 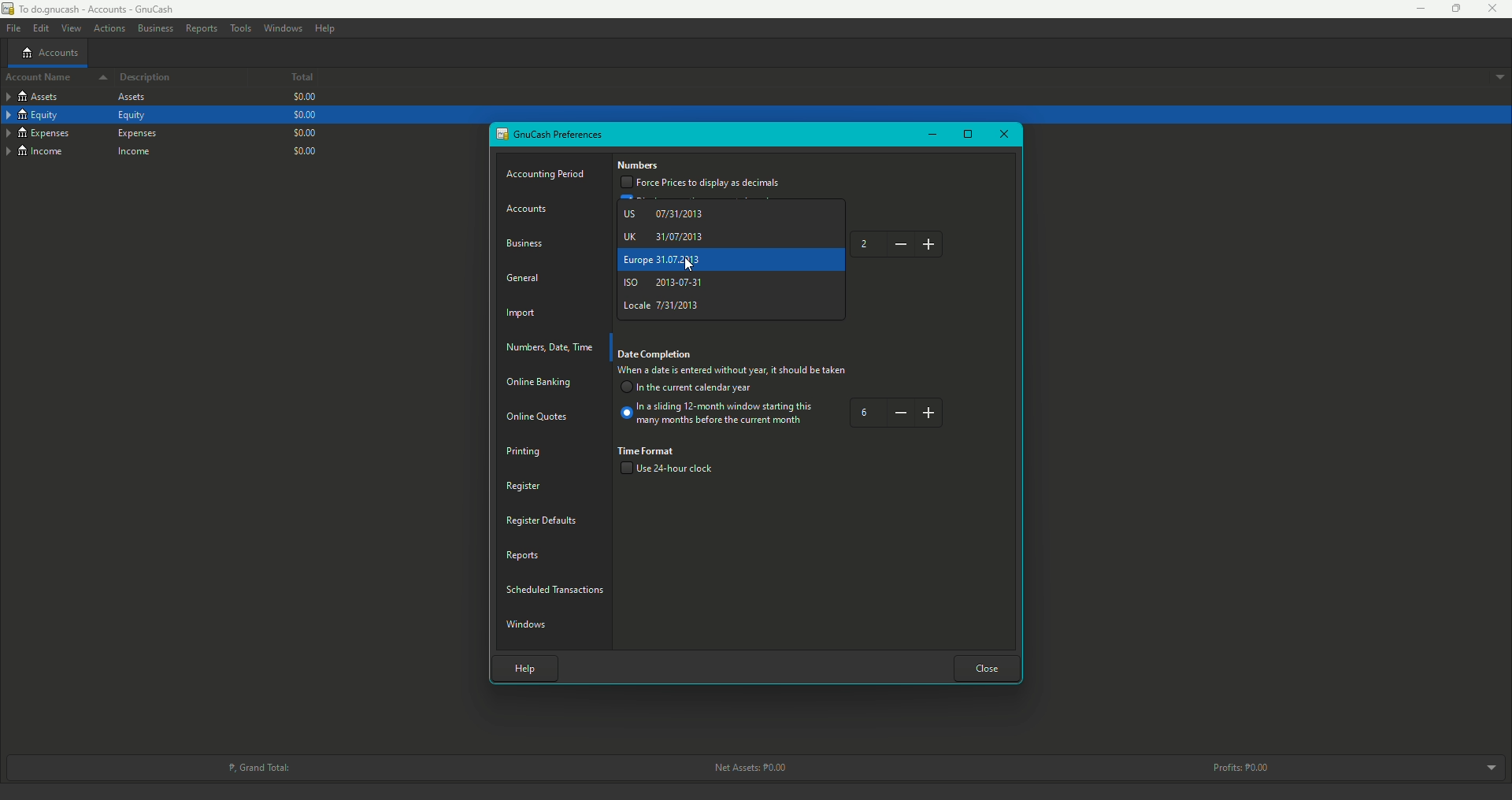 What do you see at coordinates (109, 29) in the screenshot?
I see `Actions` at bounding box center [109, 29].